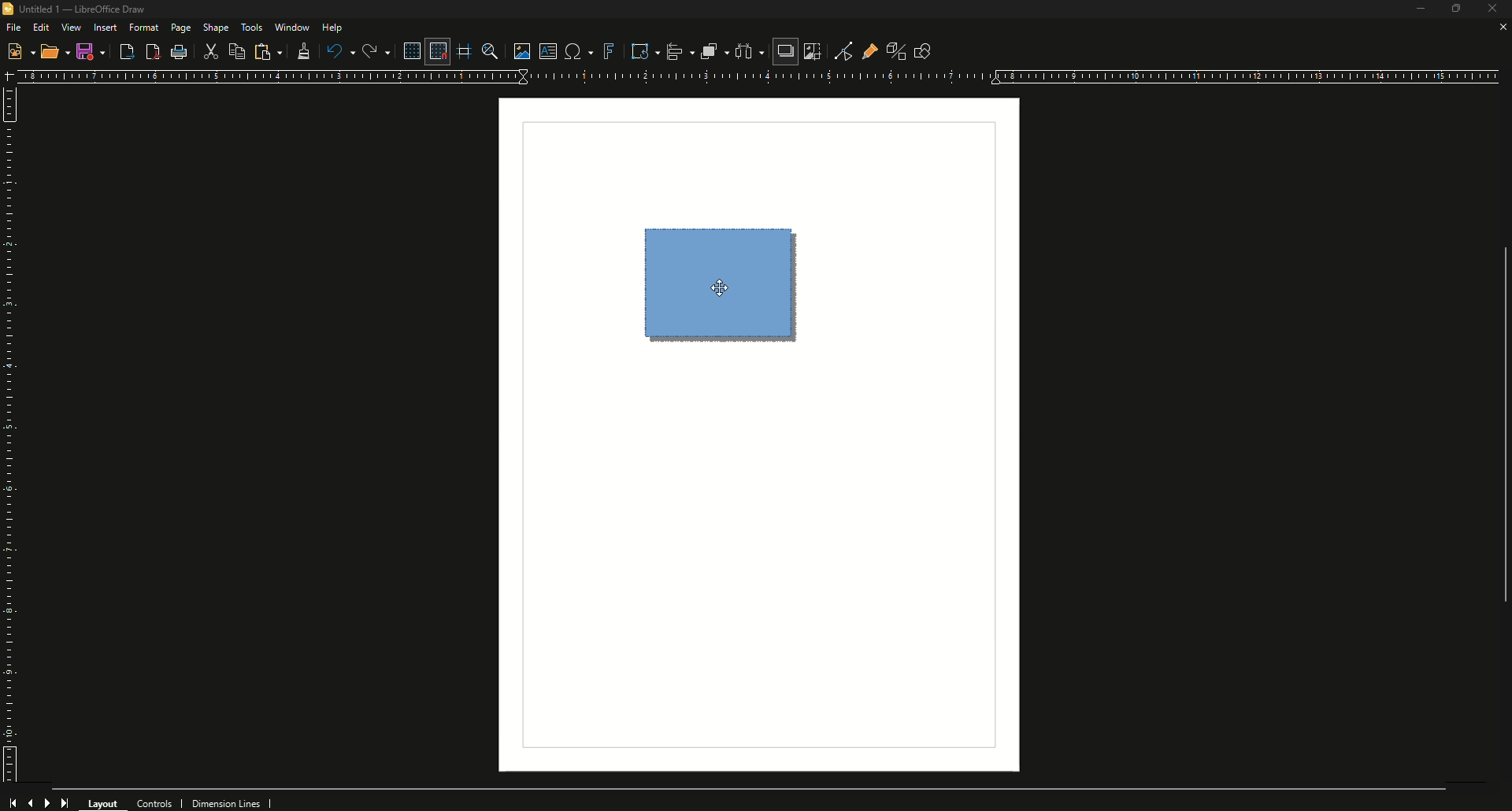  What do you see at coordinates (239, 51) in the screenshot?
I see `Copy` at bounding box center [239, 51].